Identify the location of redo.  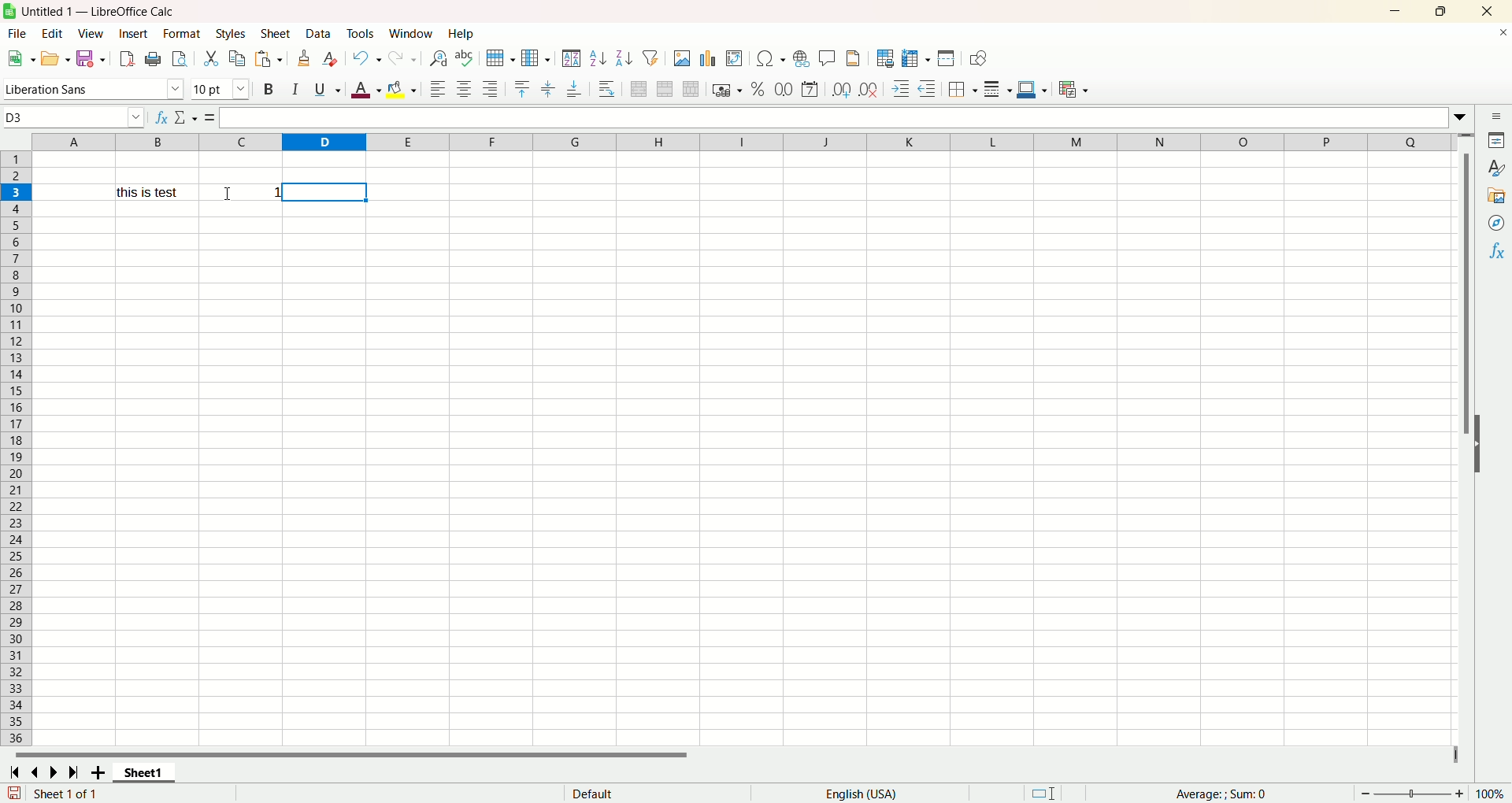
(406, 56).